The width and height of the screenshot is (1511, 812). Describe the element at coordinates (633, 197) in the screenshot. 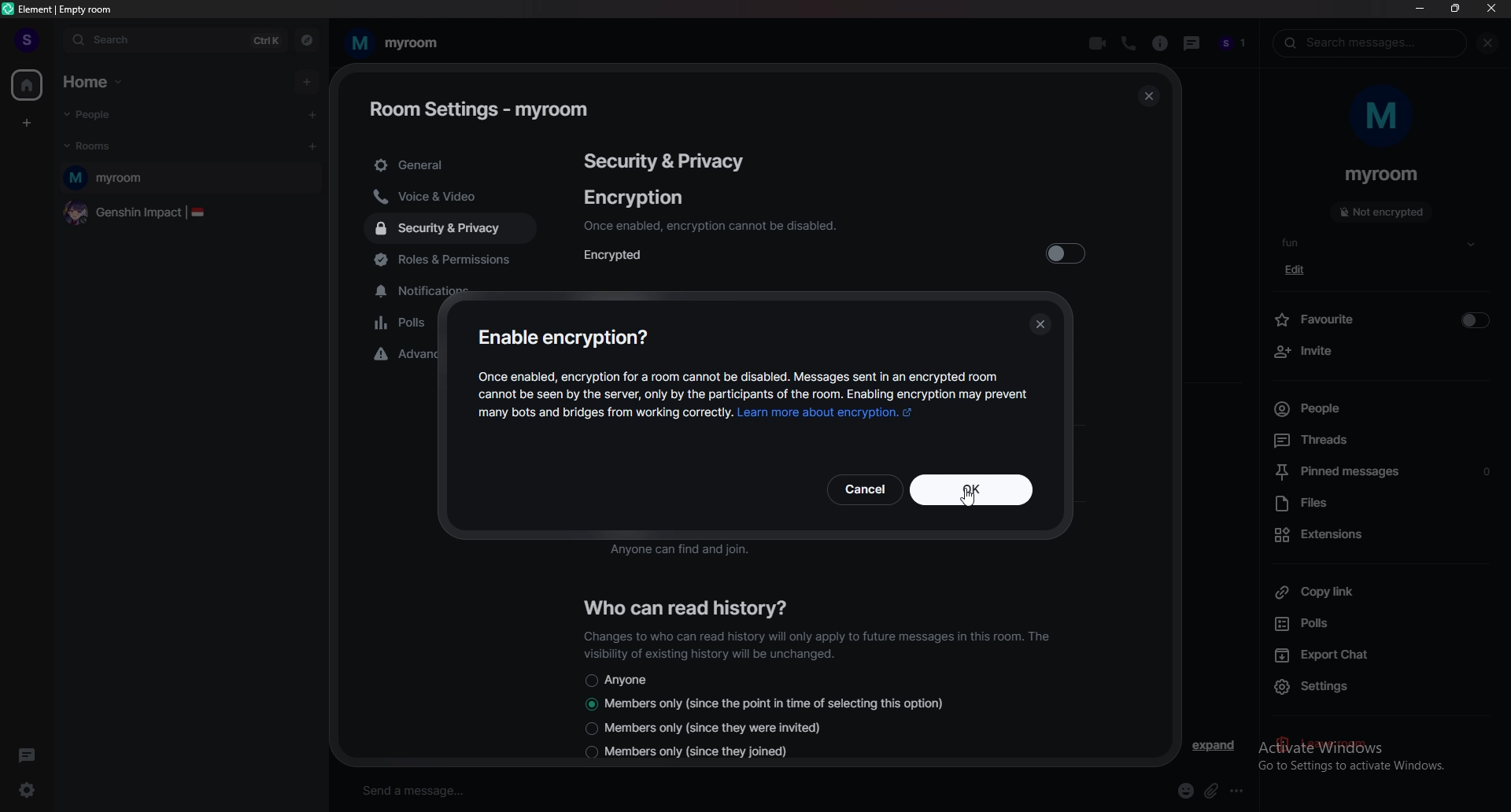

I see `encryption` at that location.